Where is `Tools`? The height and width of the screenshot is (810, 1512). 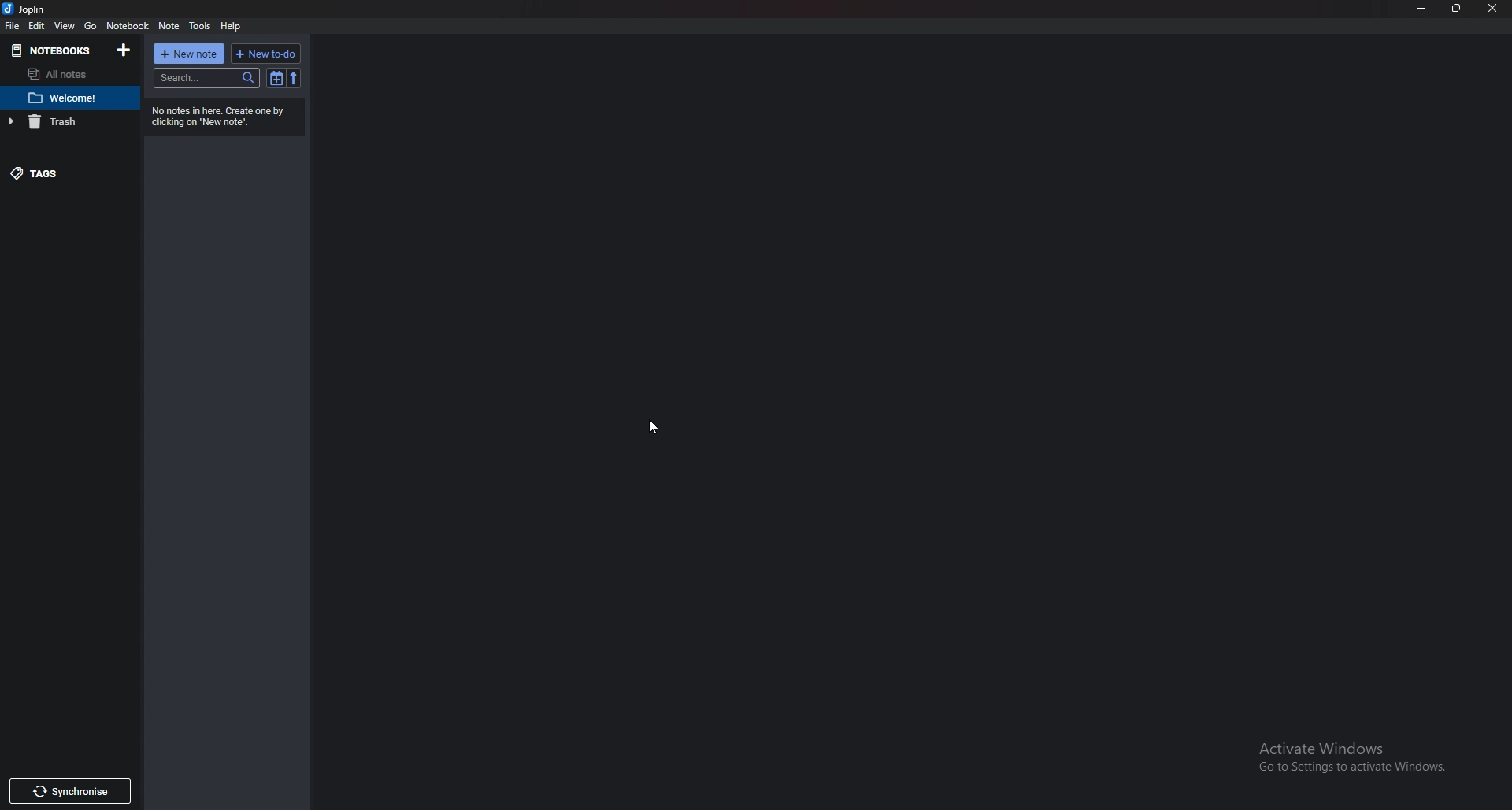 Tools is located at coordinates (200, 23).